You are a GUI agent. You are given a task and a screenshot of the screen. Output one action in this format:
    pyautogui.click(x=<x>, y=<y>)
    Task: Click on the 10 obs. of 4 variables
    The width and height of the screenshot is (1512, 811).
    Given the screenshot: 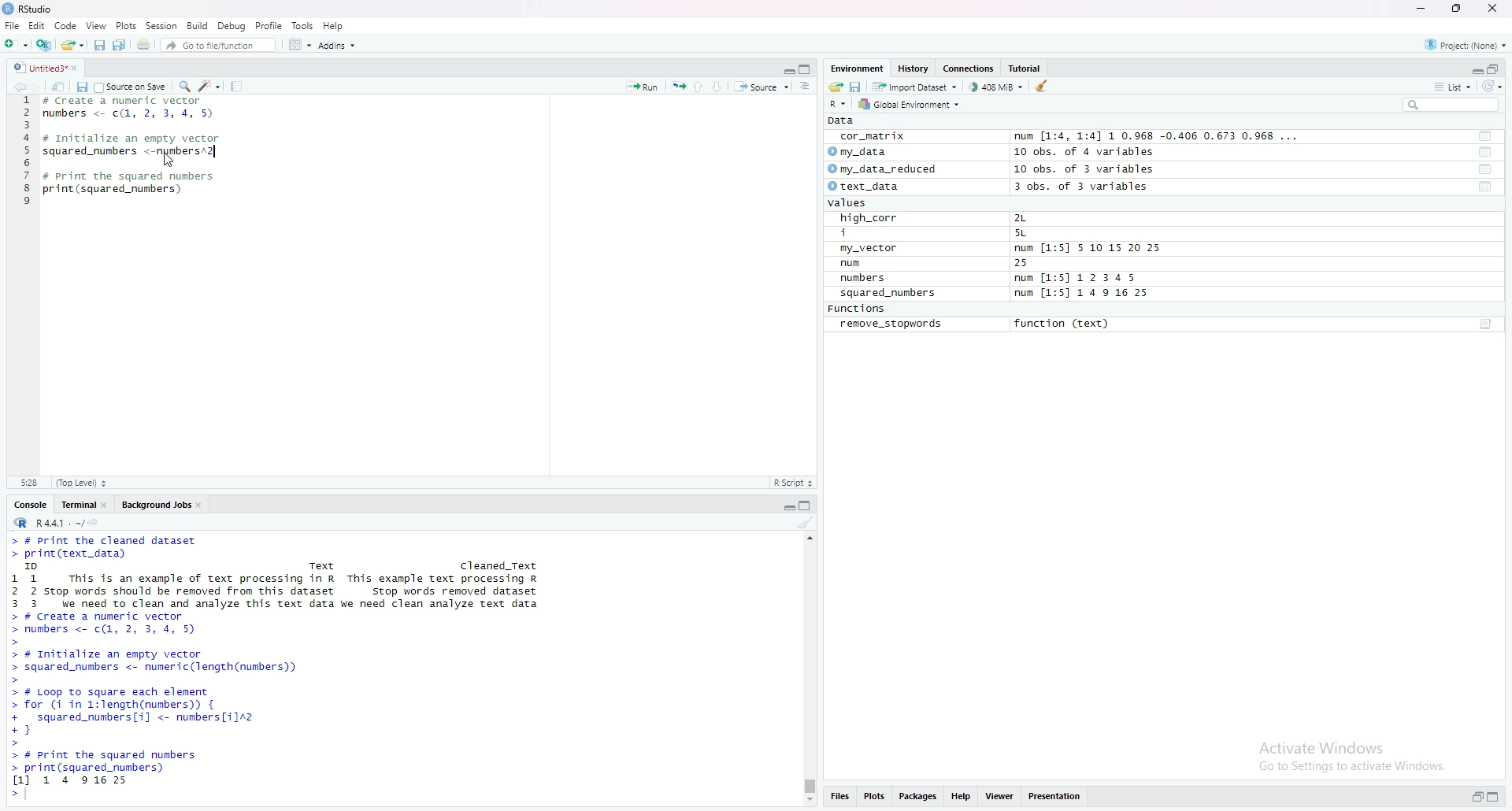 What is the action you would take?
    pyautogui.click(x=1084, y=152)
    